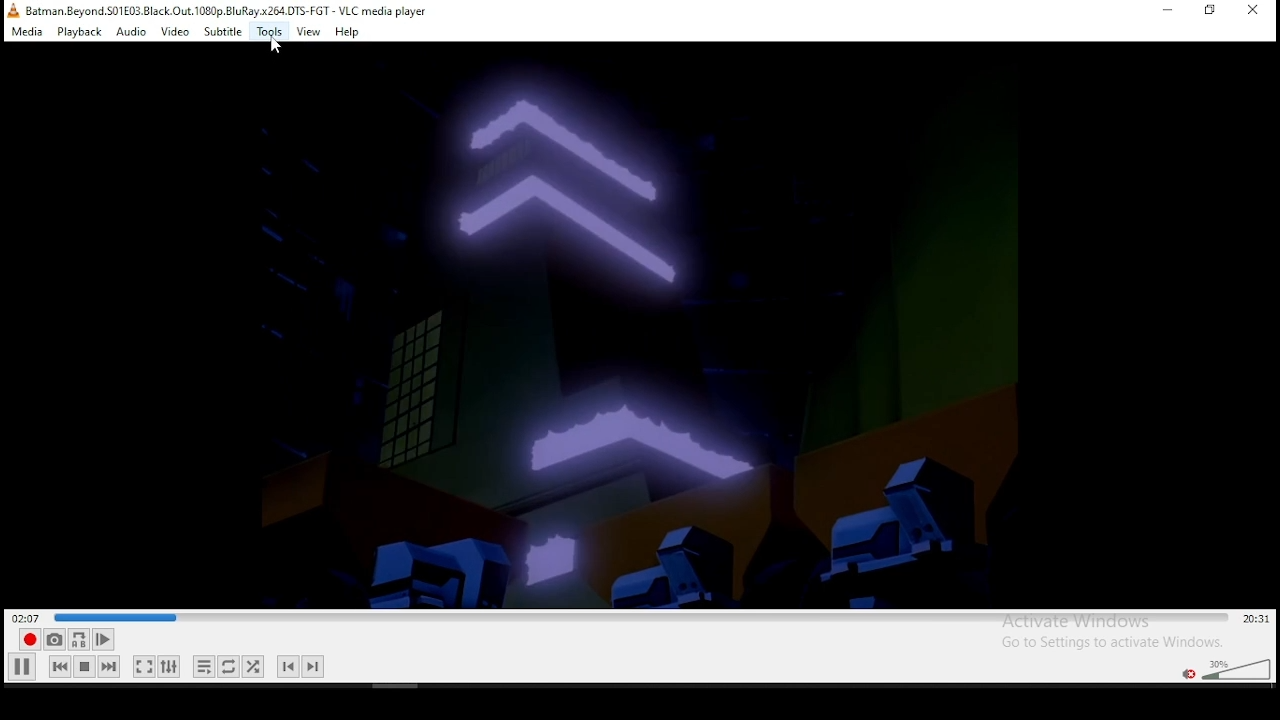  Describe the element at coordinates (643, 618) in the screenshot. I see `seek bar` at that location.